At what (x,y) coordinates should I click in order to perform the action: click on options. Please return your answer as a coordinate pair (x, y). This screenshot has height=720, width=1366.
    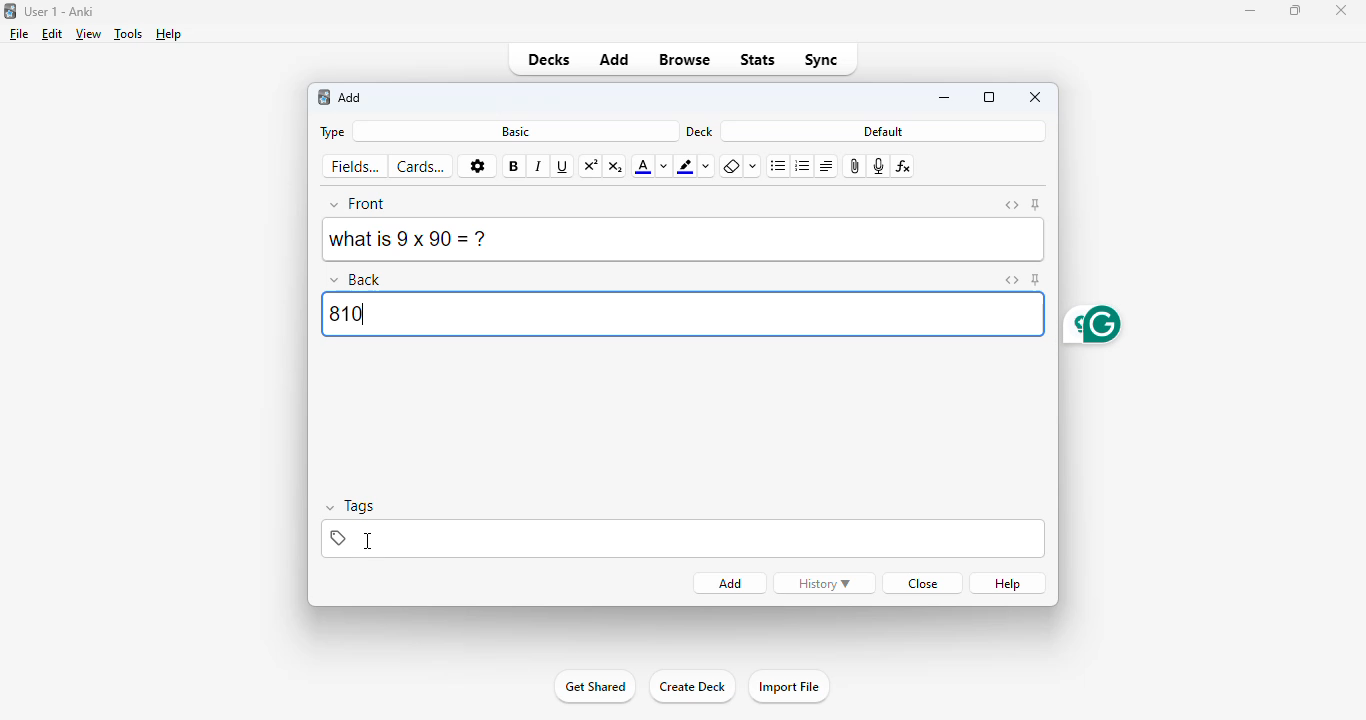
    Looking at the image, I should click on (477, 167).